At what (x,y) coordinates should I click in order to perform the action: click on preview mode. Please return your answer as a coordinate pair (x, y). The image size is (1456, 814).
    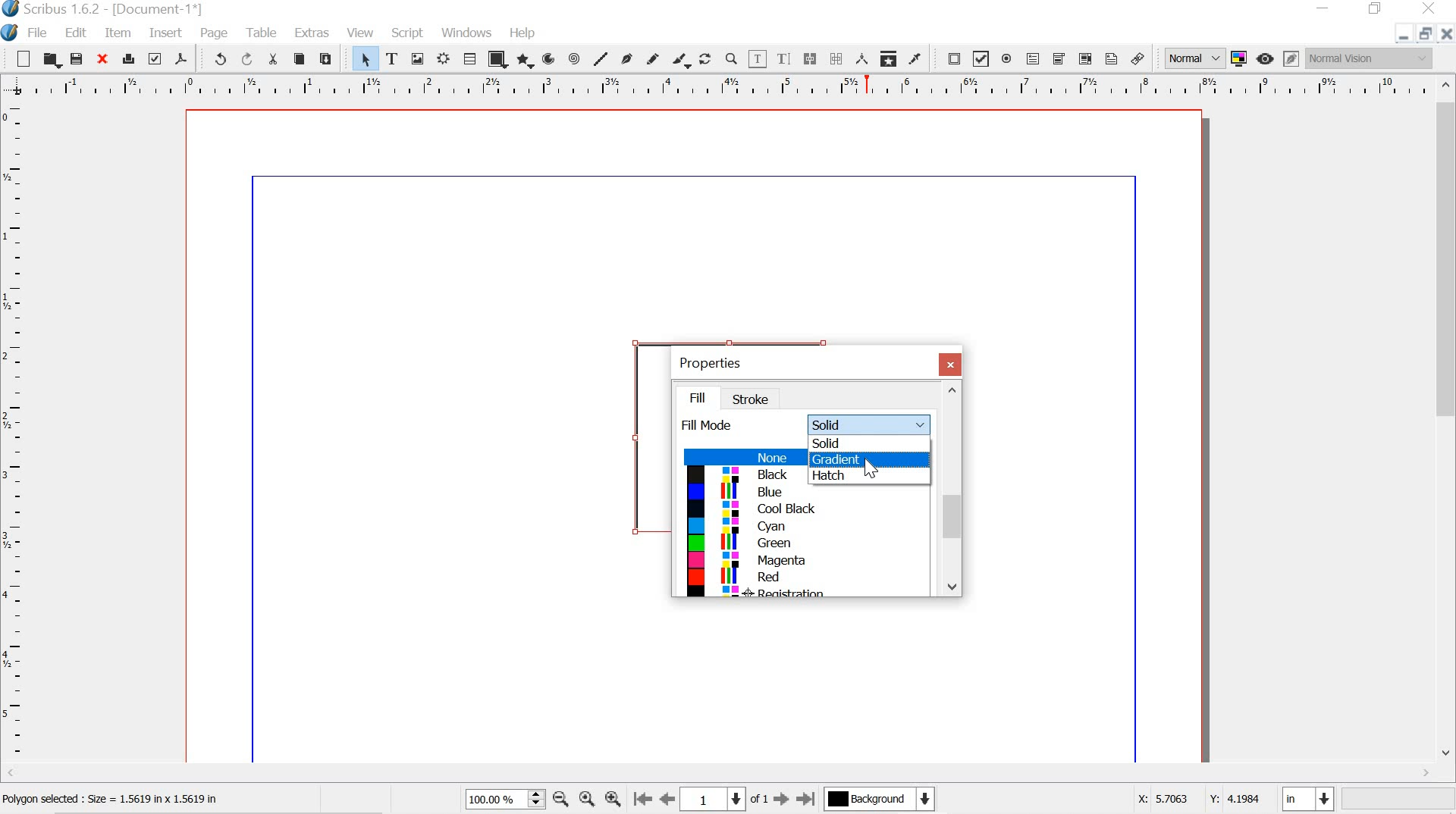
    Looking at the image, I should click on (1266, 59).